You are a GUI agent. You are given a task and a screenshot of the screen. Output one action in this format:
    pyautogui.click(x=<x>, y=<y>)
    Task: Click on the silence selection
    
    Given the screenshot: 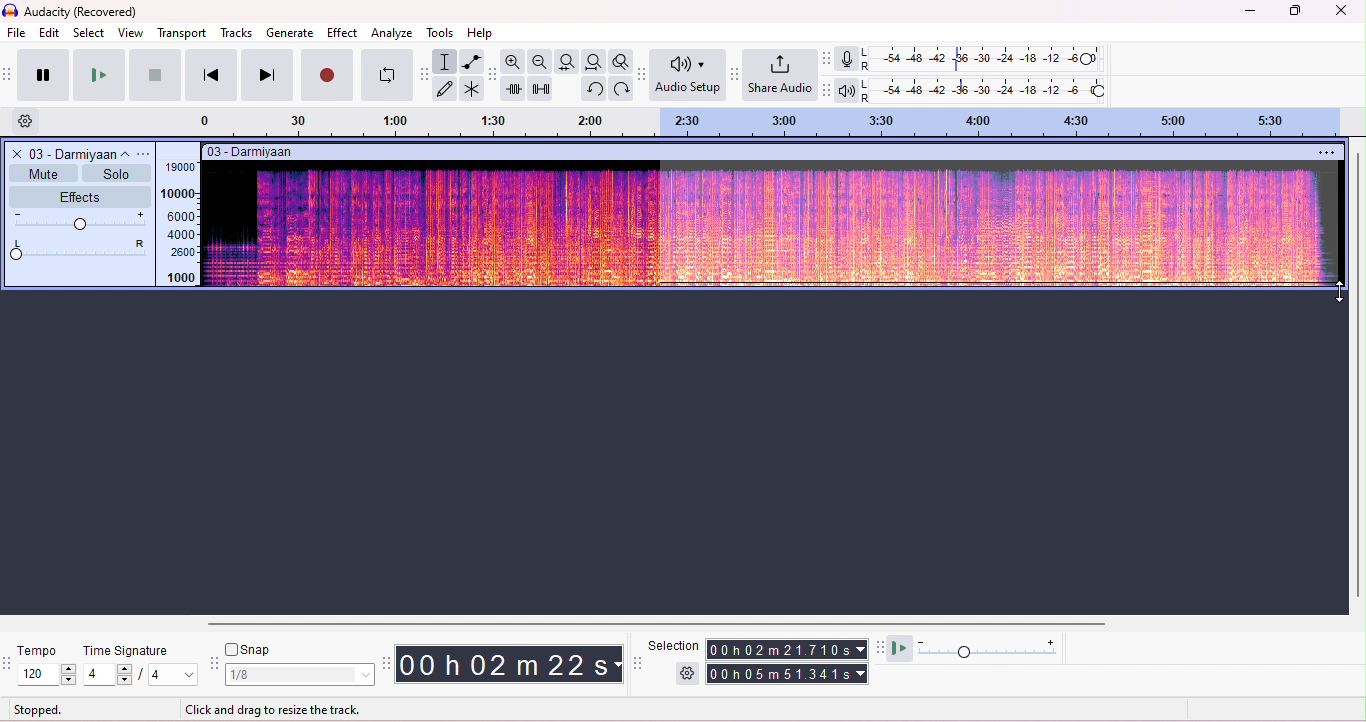 What is the action you would take?
    pyautogui.click(x=540, y=89)
    